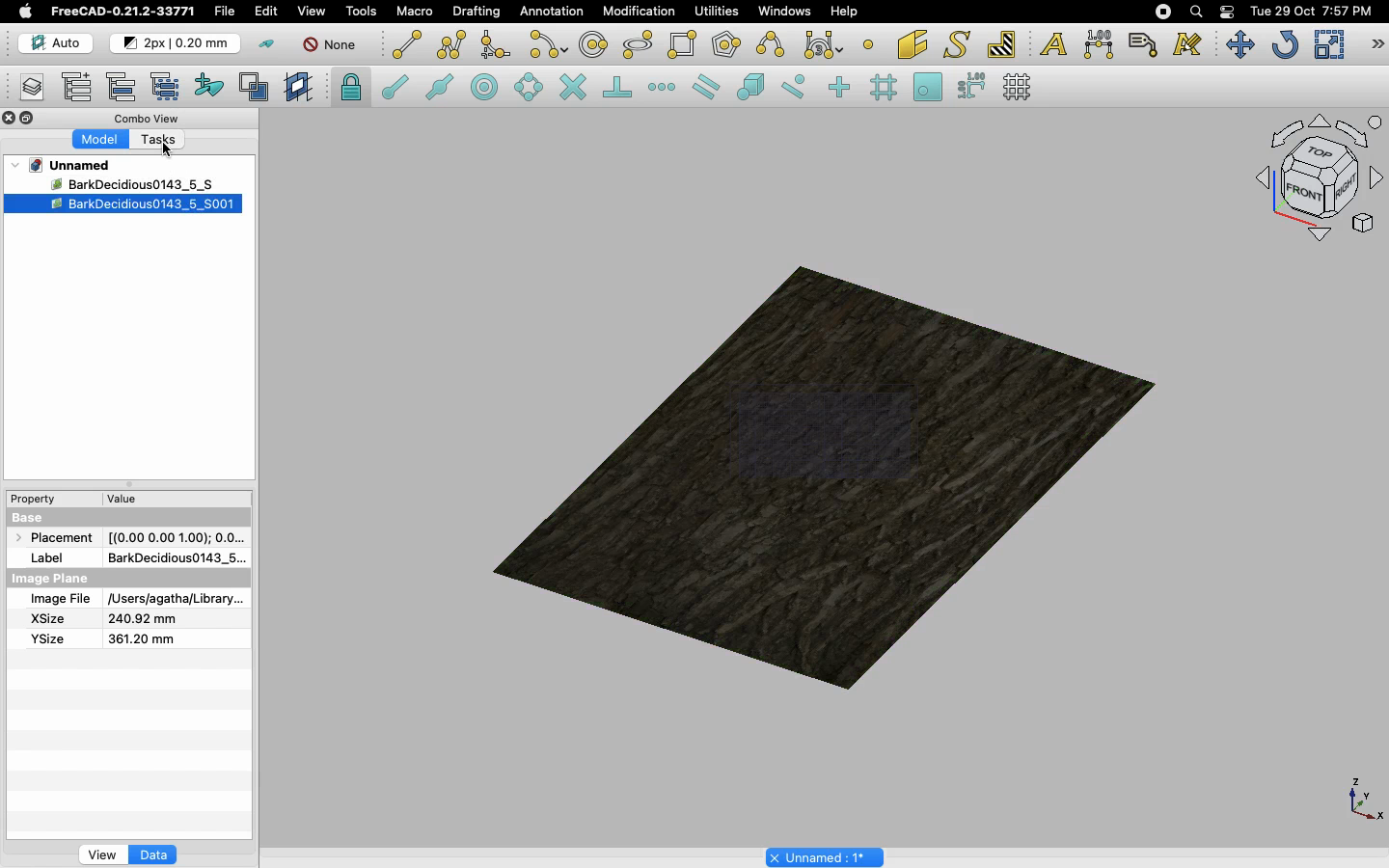 This screenshot has height=868, width=1389. Describe the element at coordinates (416, 12) in the screenshot. I see `Macro` at that location.